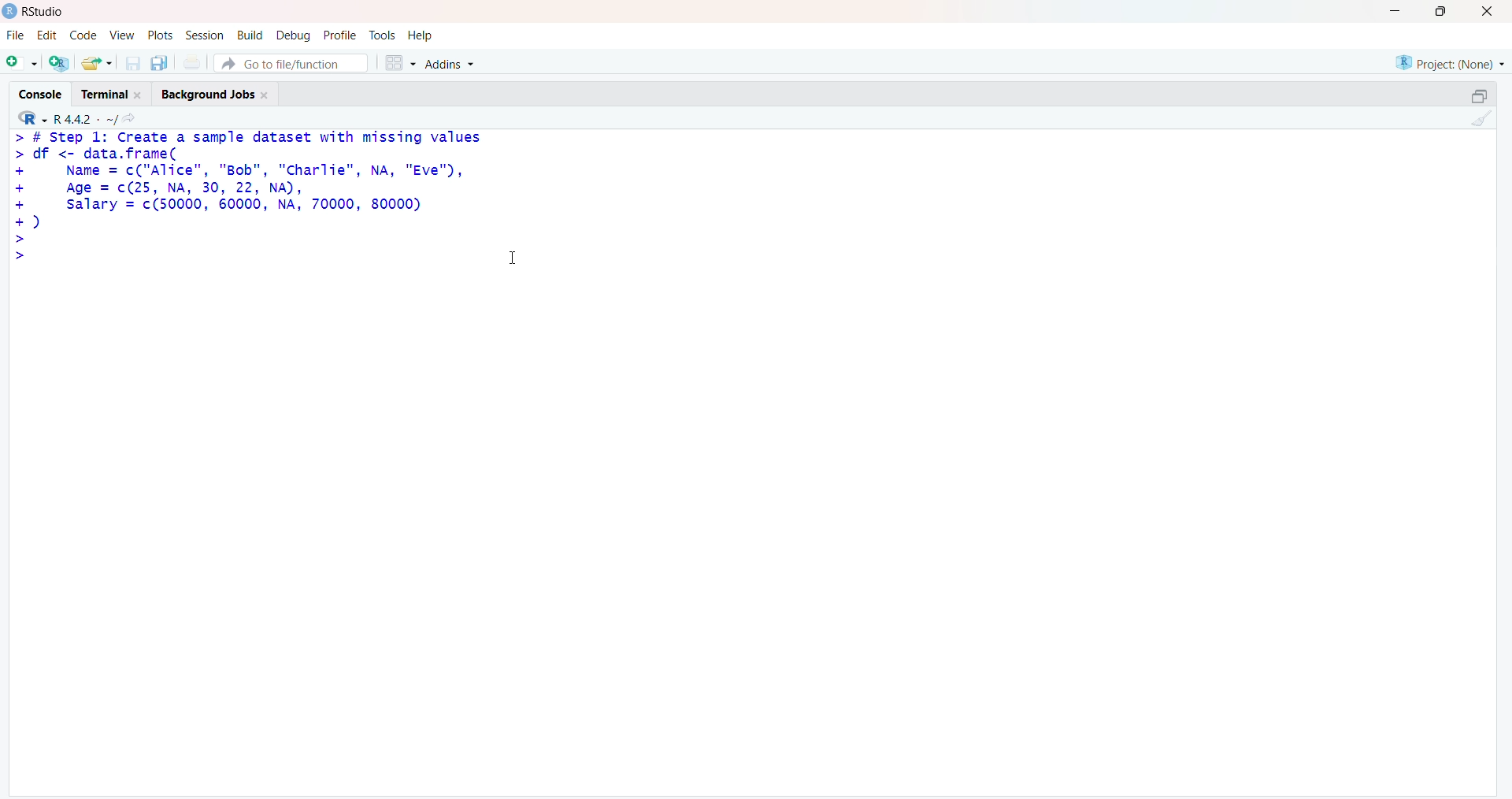 Image resolution: width=1512 pixels, height=799 pixels. What do you see at coordinates (252, 200) in the screenshot?
I see `> # Step 1: Create a sample dataset with missing values
> df <- data.frame(

+ Name = c("Alice", "Bob", "Charlie", NA, "Eve"),
+ Age = c(25, NA, 30, 22, NA),

+ salary = c(50000, 60000, NA, 70000, 80000)

+)

>

>` at bounding box center [252, 200].